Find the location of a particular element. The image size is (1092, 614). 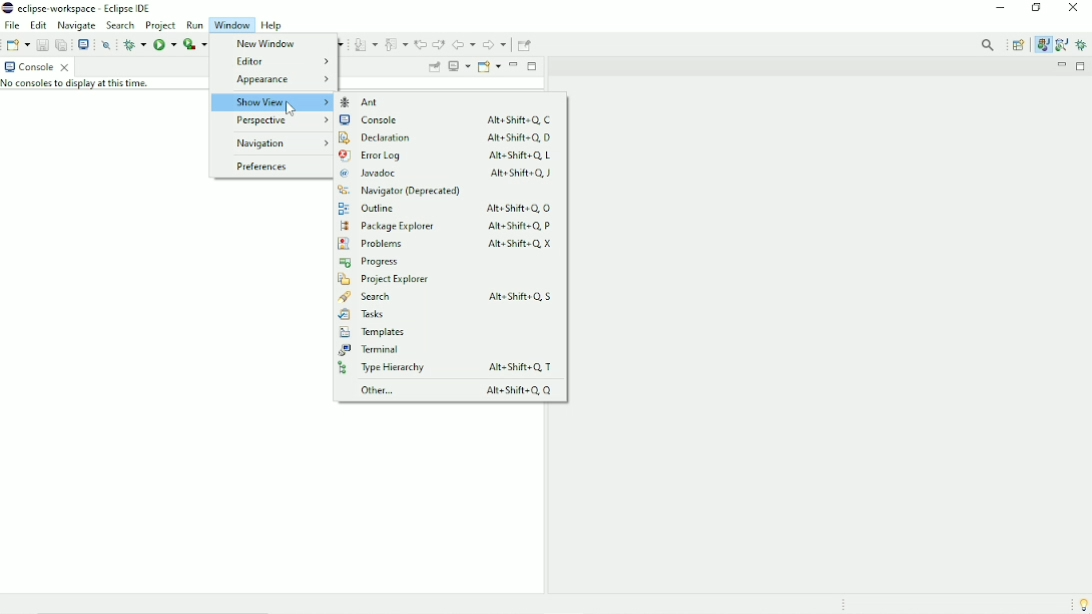

Open console is located at coordinates (489, 66).